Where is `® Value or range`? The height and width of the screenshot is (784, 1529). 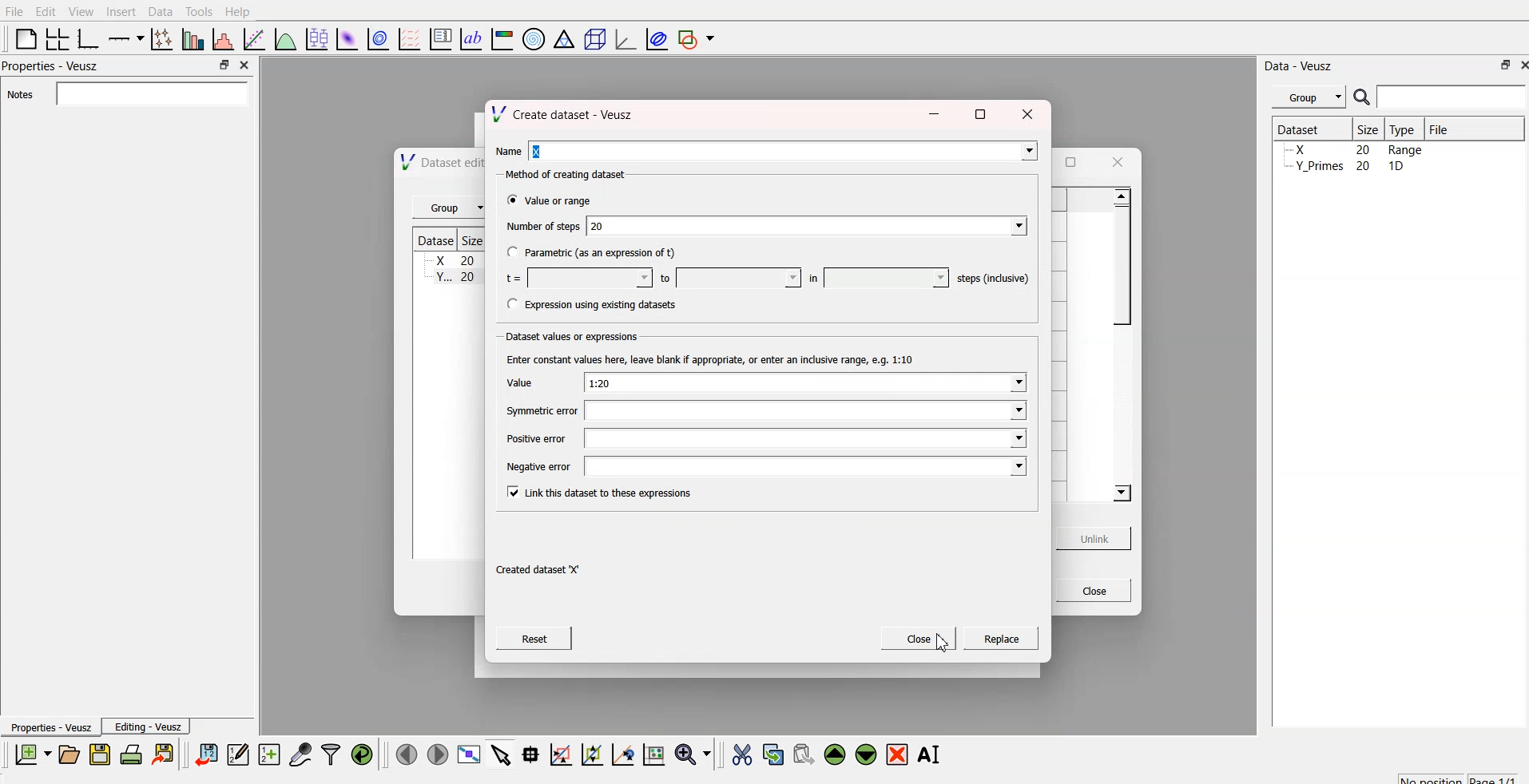 ® Value or range is located at coordinates (550, 199).